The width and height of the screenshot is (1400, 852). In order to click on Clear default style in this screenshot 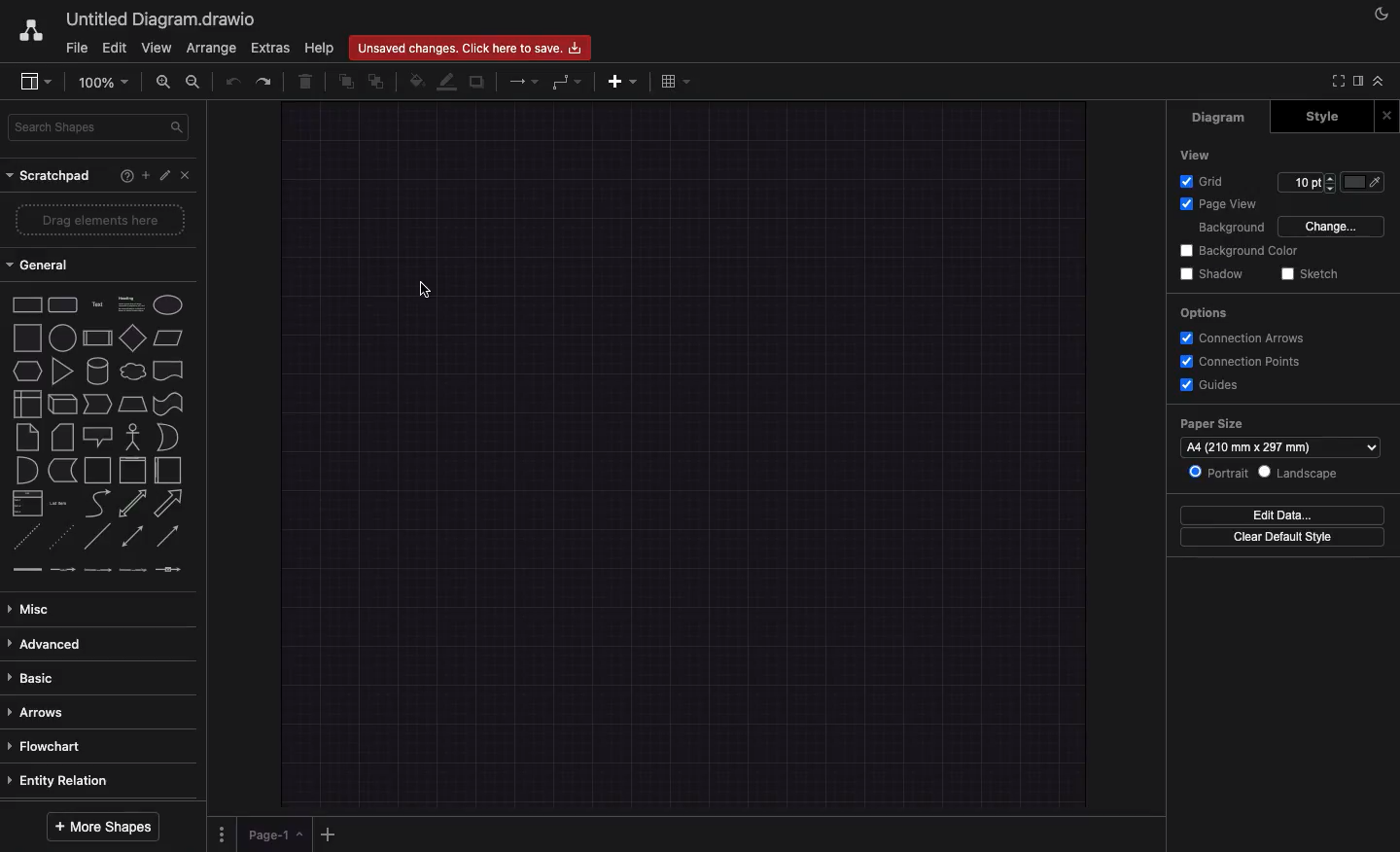, I will do `click(1281, 538)`.